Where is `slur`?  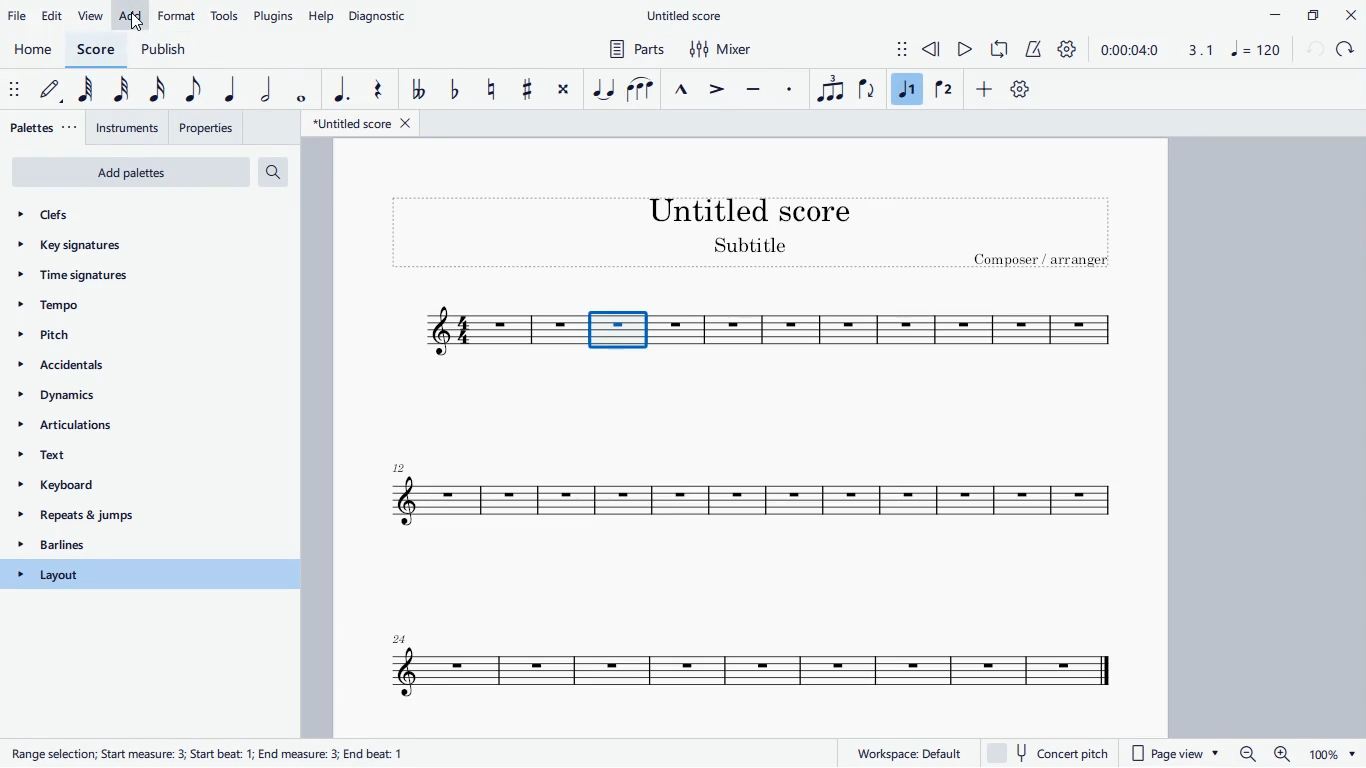 slur is located at coordinates (640, 87).